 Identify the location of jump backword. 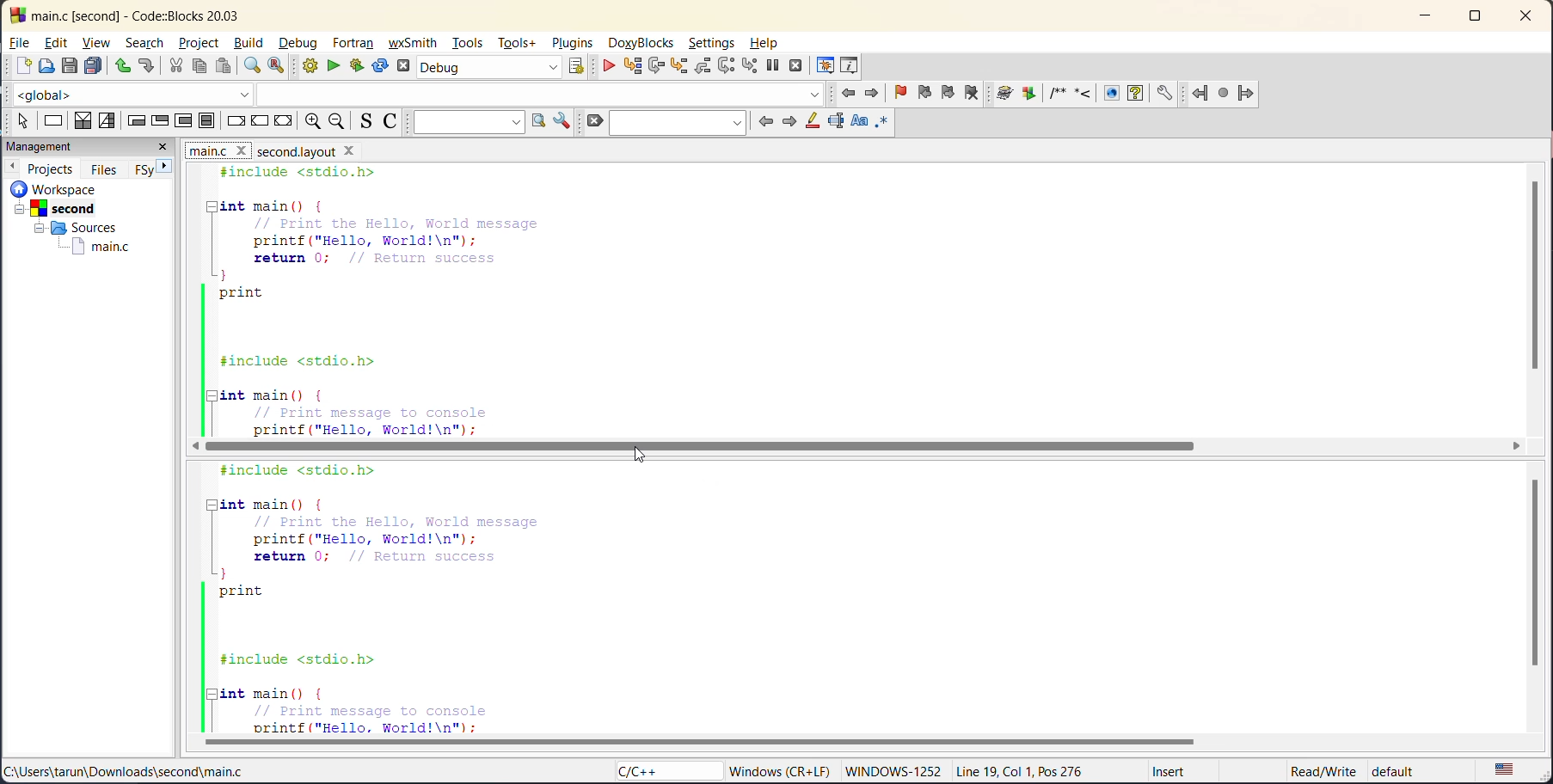
(1200, 91).